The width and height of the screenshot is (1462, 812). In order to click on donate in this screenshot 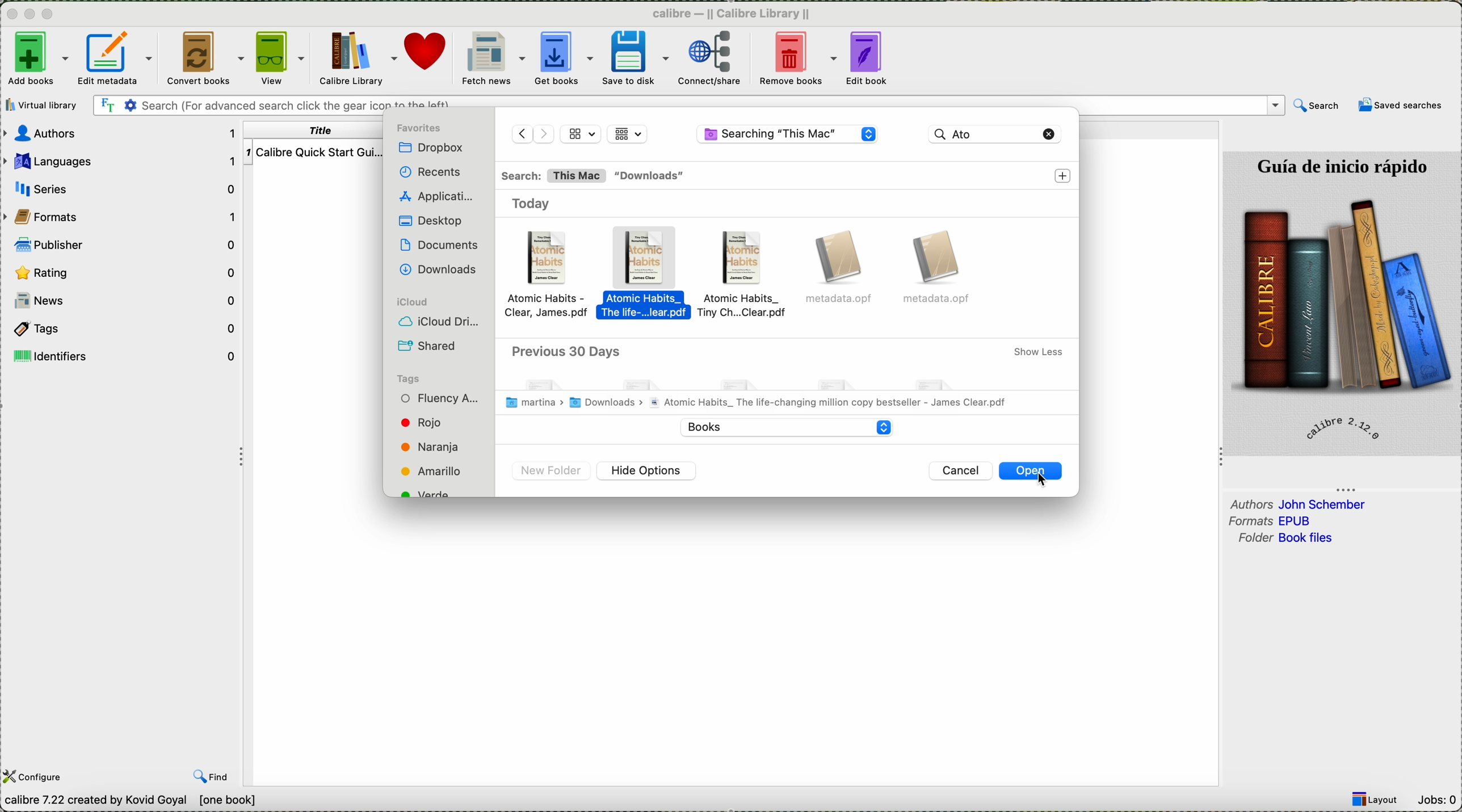, I will do `click(430, 59)`.